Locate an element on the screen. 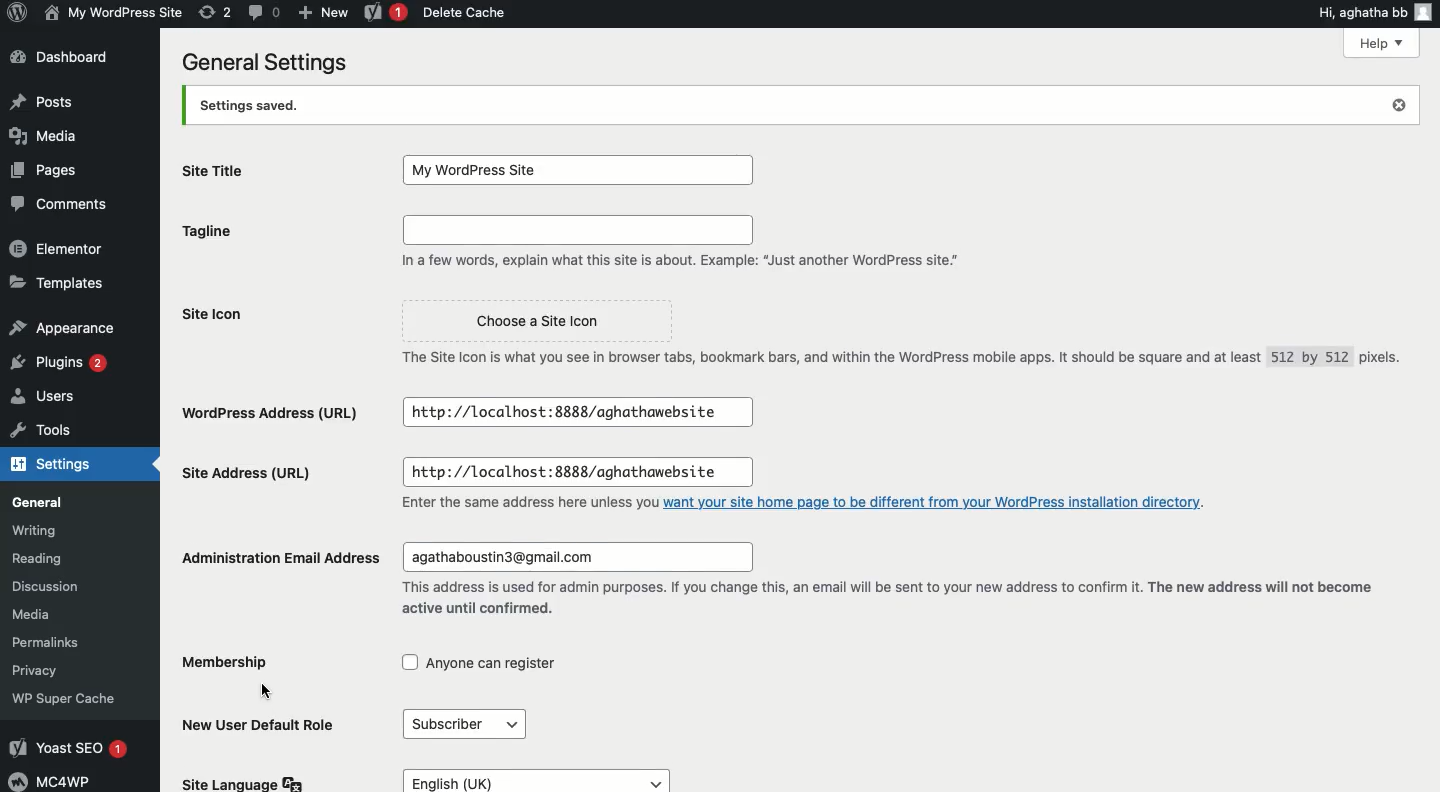 The image size is (1440, 792). Comment is located at coordinates (266, 12).